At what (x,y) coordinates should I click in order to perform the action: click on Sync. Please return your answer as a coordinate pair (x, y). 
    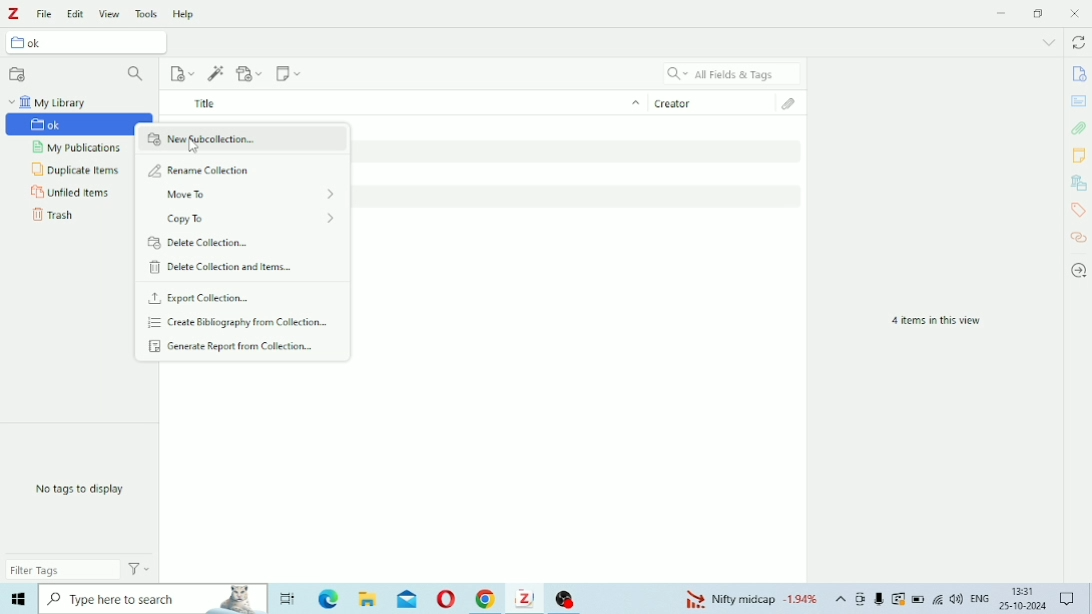
    Looking at the image, I should click on (1078, 42).